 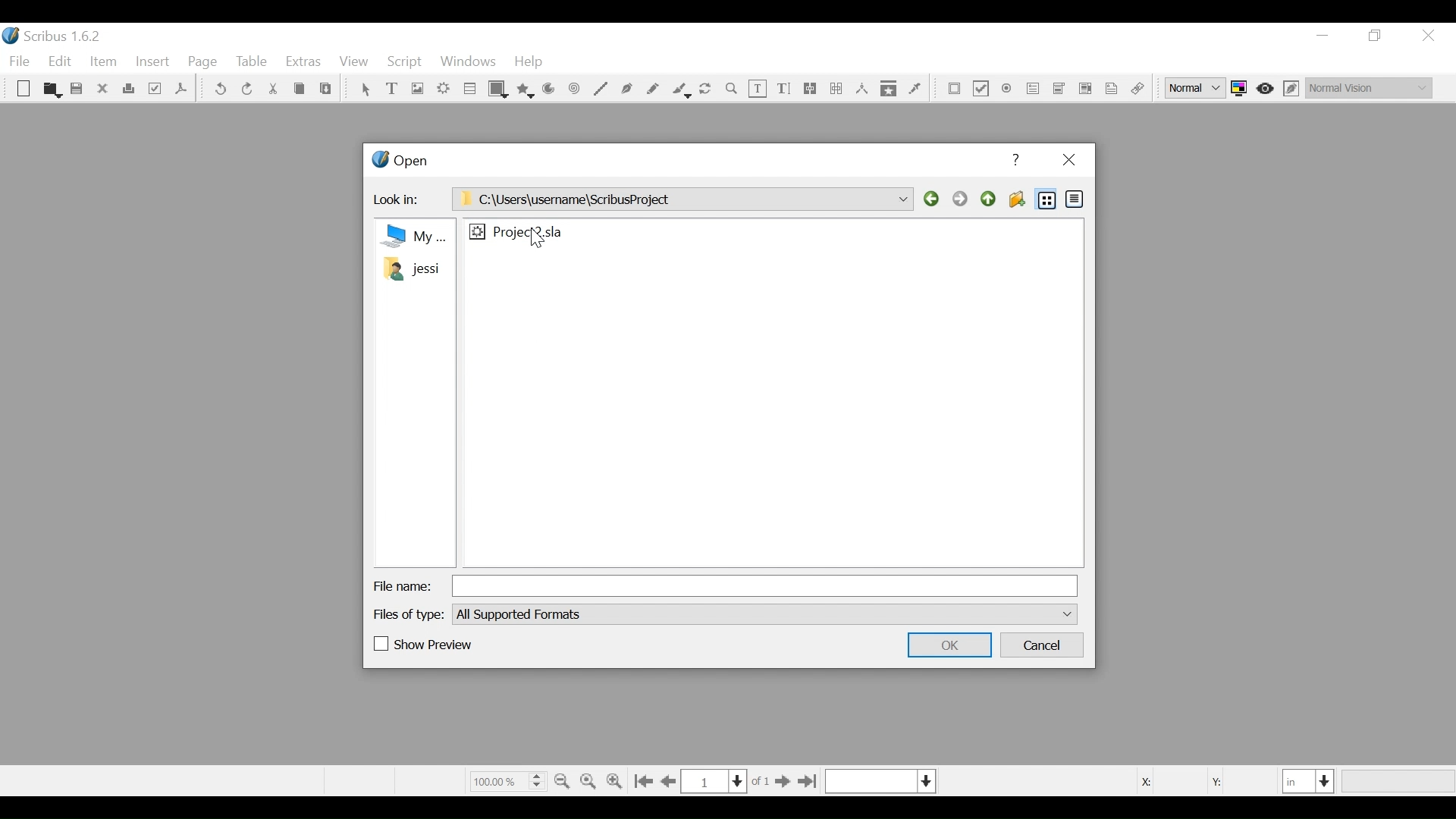 What do you see at coordinates (573, 90) in the screenshot?
I see `Spiral ` at bounding box center [573, 90].